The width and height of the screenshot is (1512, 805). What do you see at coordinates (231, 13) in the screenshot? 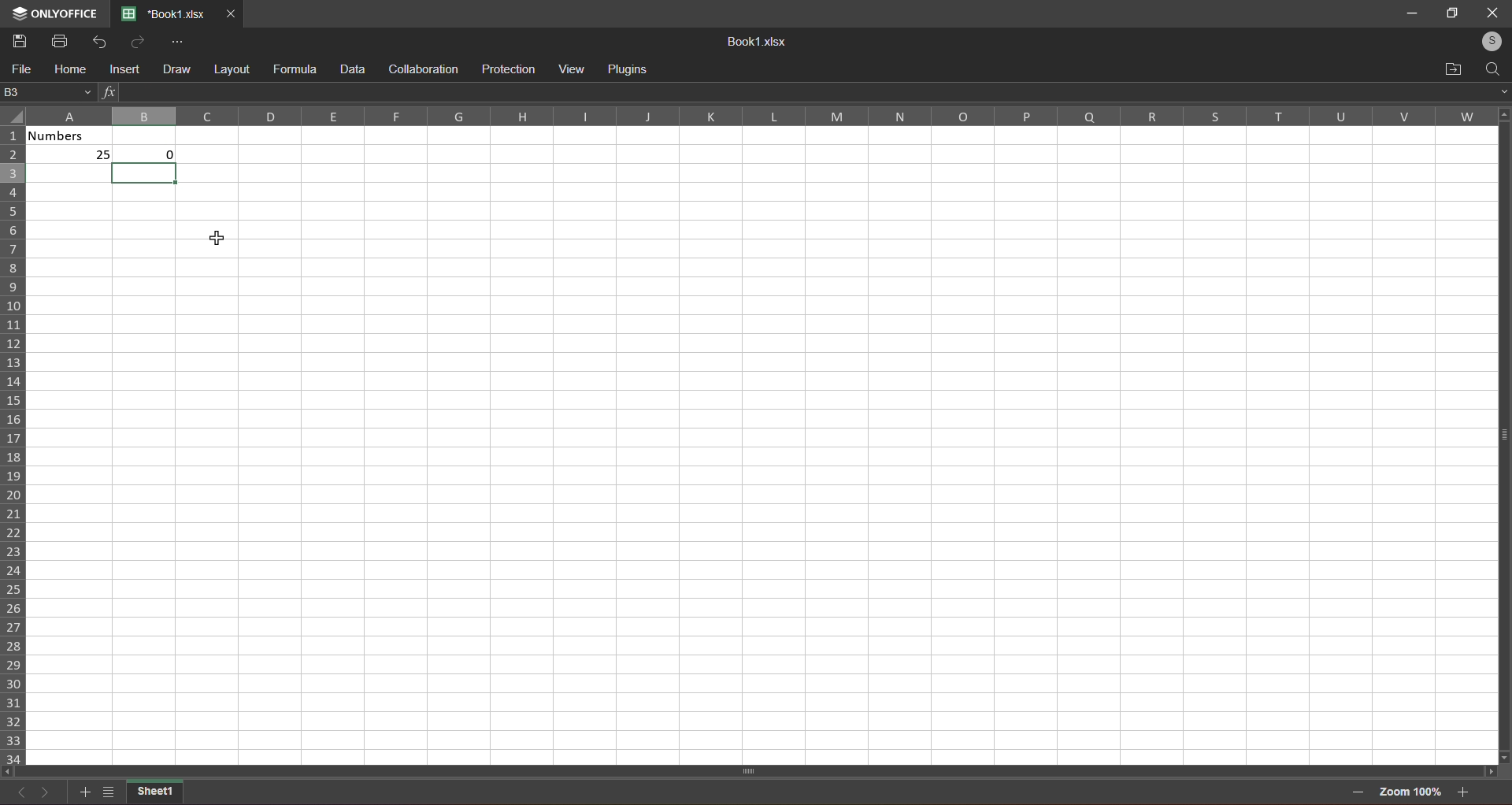
I see `close tab` at bounding box center [231, 13].